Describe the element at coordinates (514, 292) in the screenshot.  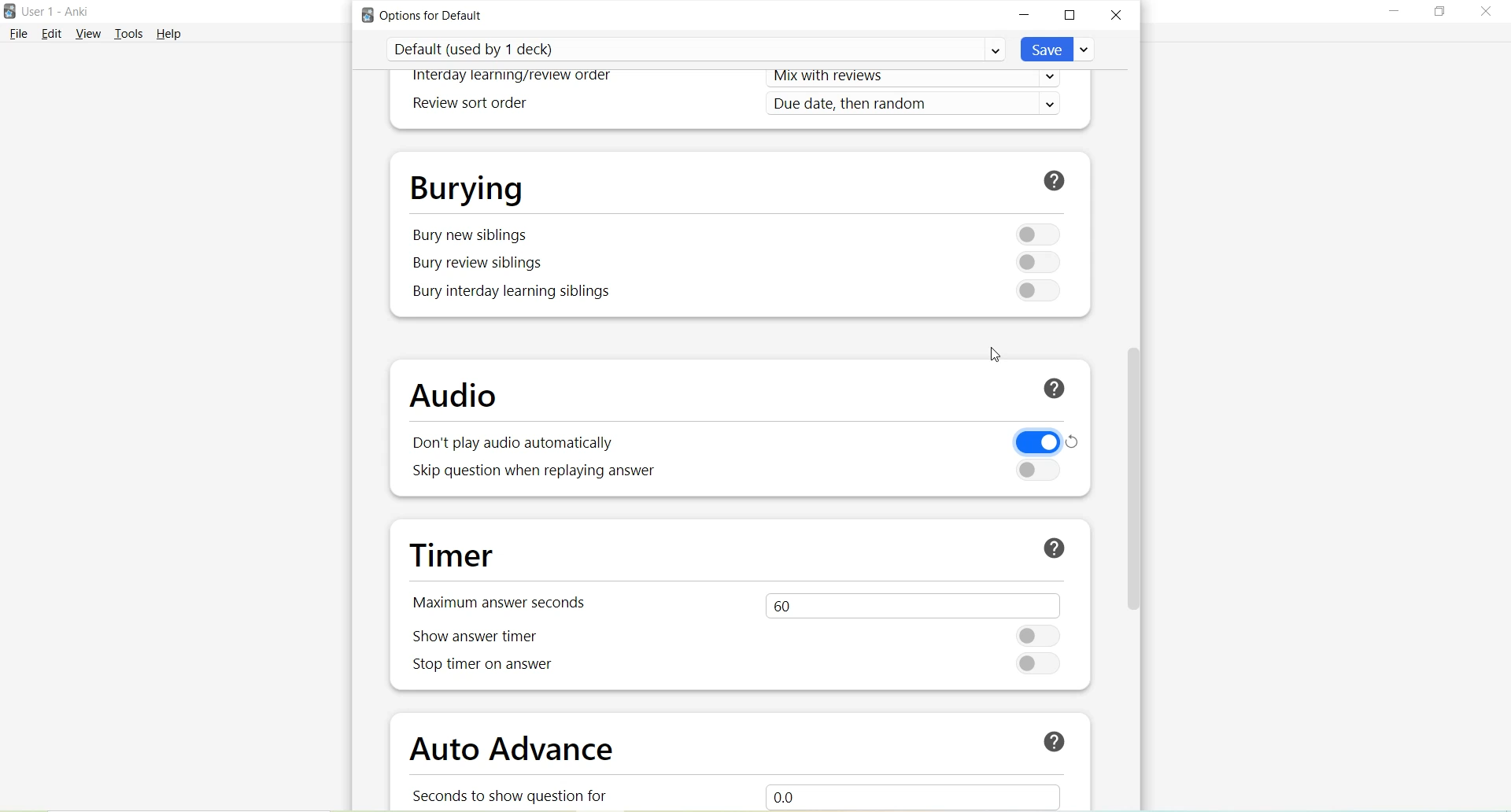
I see `Bury interday learning siblings` at that location.